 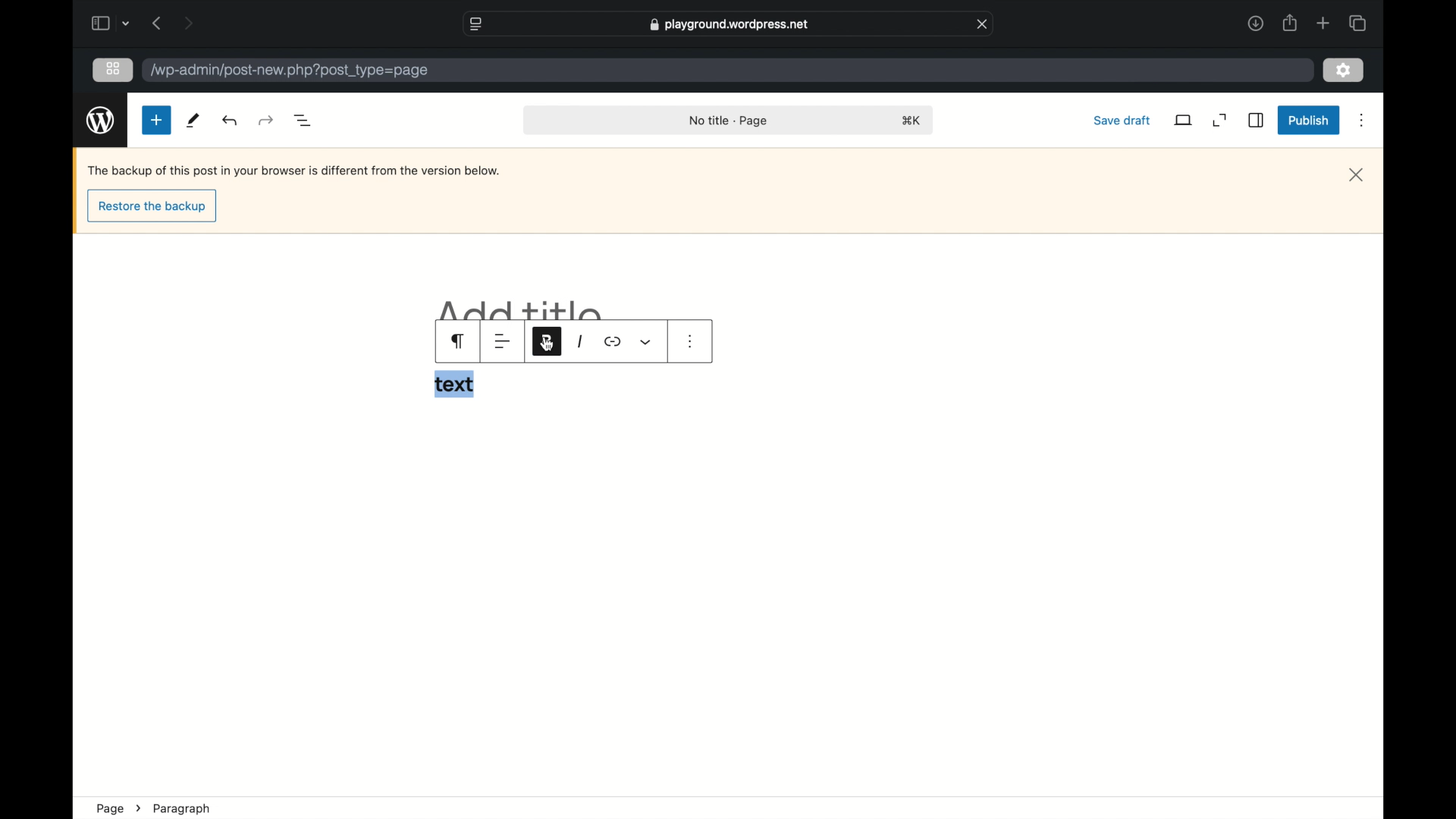 What do you see at coordinates (138, 808) in the screenshot?
I see `next icon` at bounding box center [138, 808].